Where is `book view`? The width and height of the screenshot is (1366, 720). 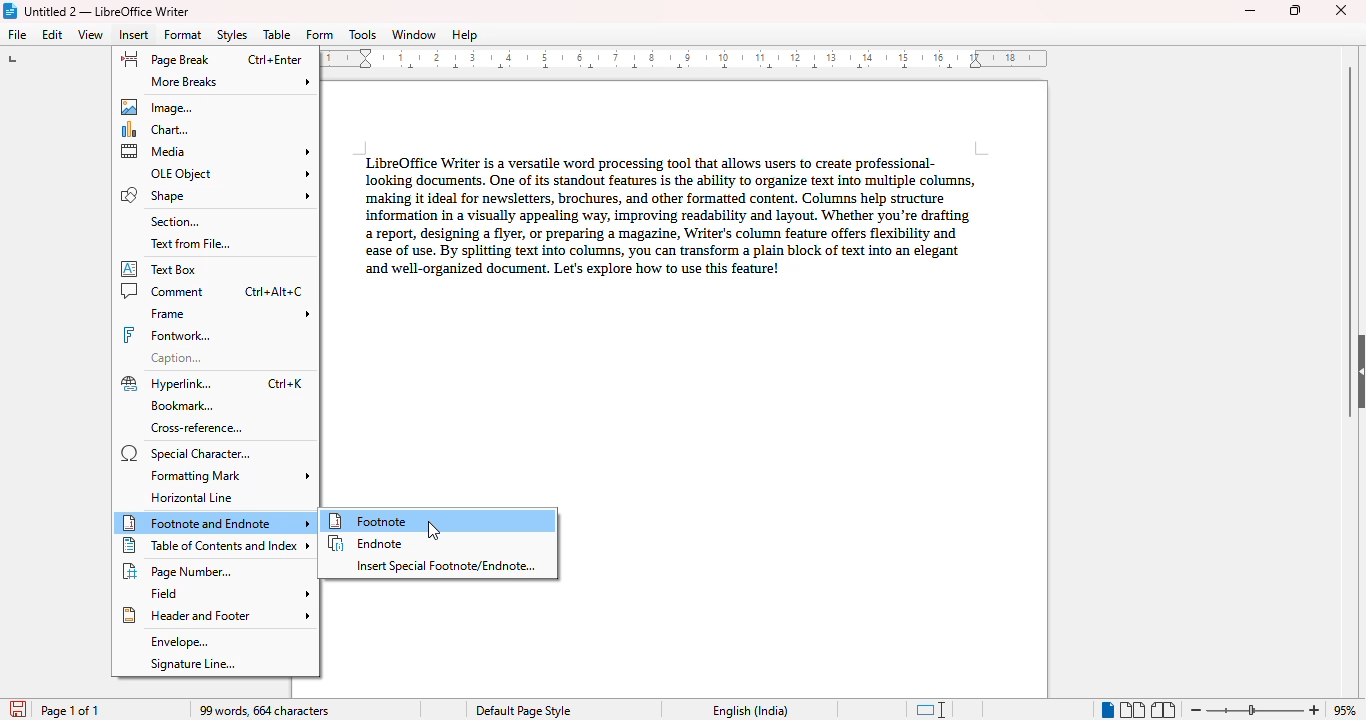
book view is located at coordinates (1162, 709).